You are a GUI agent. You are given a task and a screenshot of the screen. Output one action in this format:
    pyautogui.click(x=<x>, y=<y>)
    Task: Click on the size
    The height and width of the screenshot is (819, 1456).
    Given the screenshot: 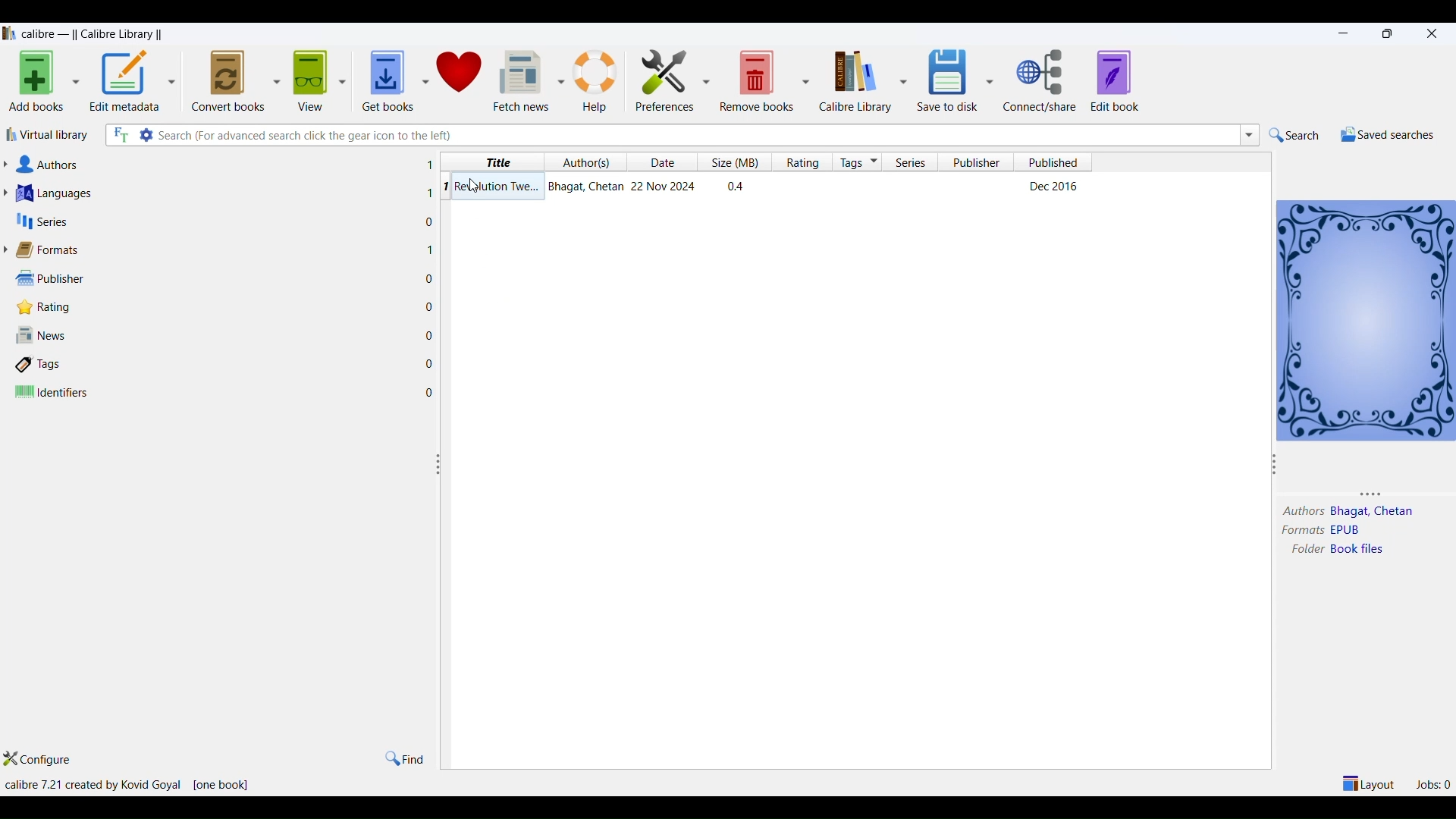 What is the action you would take?
    pyautogui.click(x=734, y=163)
    